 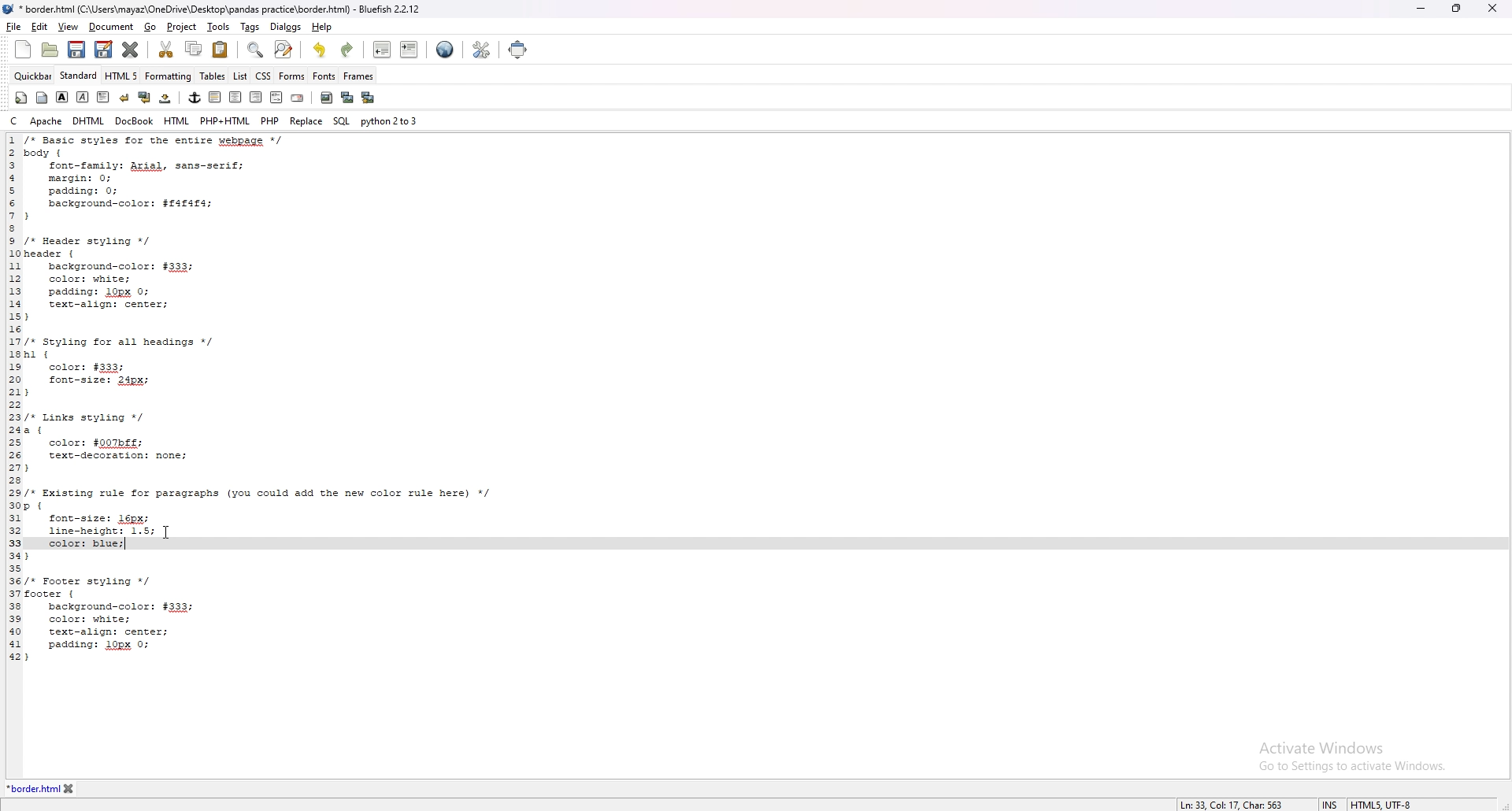 I want to click on go, so click(x=151, y=28).